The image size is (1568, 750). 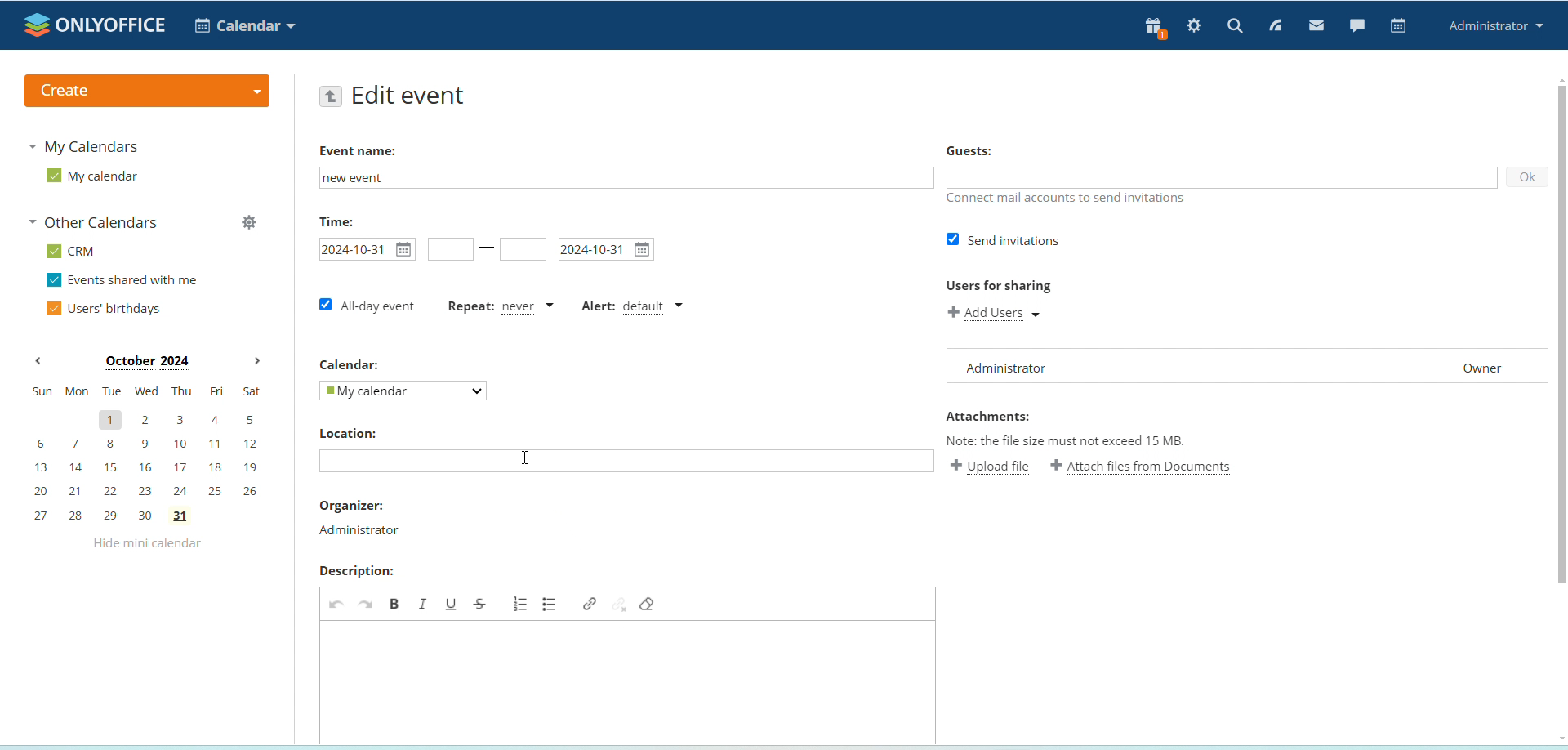 I want to click on event start time, so click(x=449, y=250).